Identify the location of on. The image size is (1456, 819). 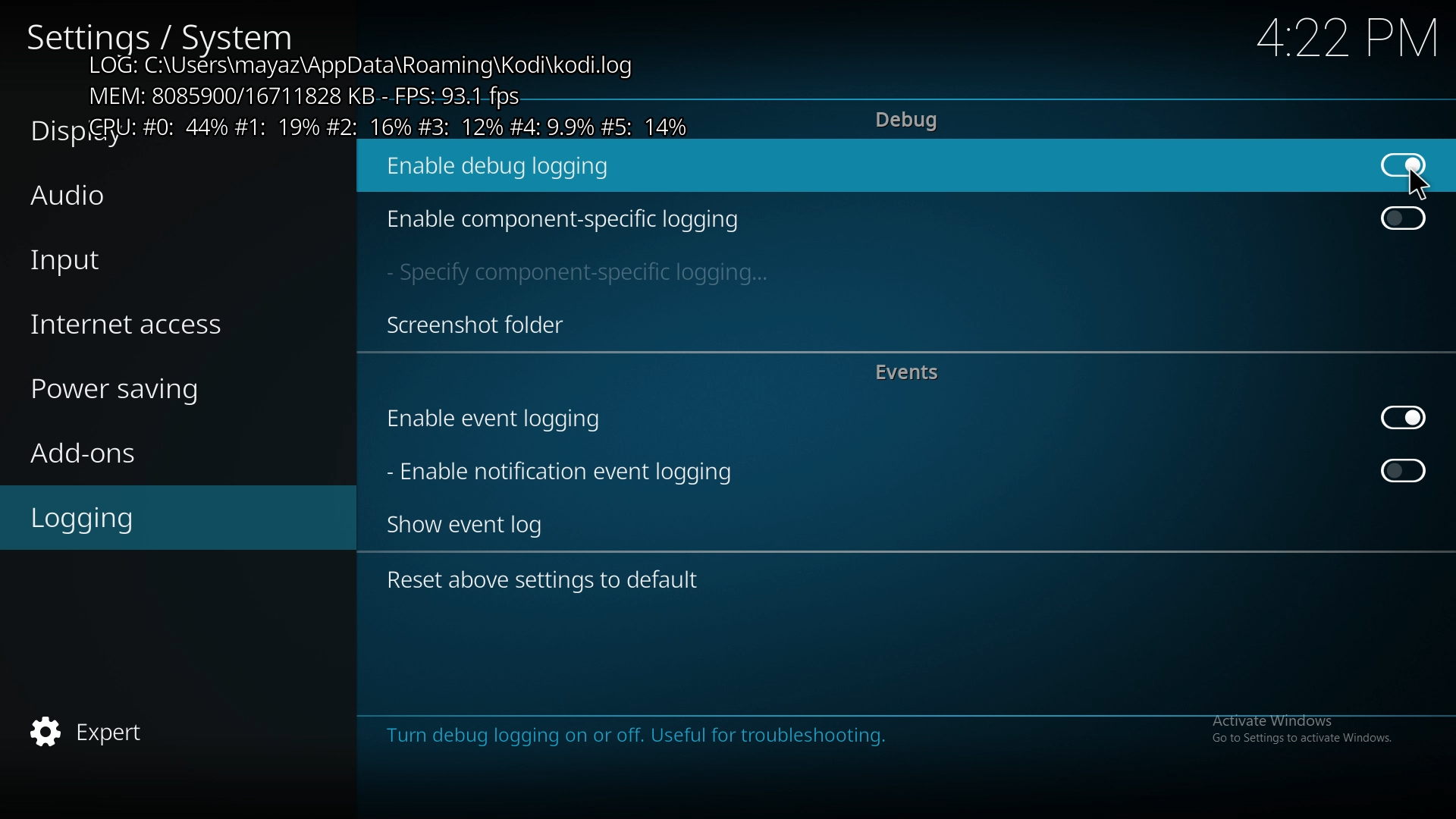
(1403, 417).